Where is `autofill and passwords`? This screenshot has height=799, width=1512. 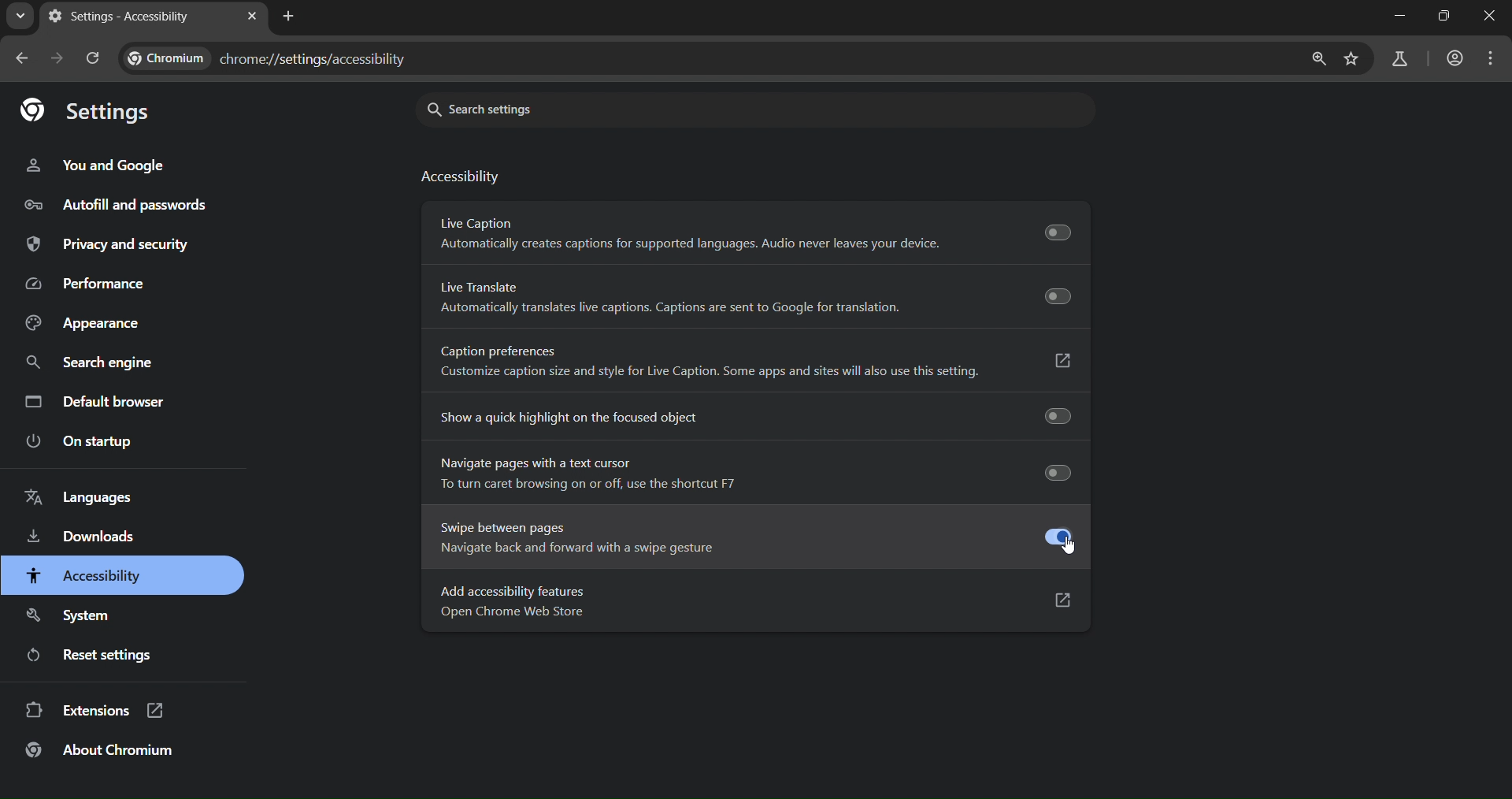 autofill and passwords is located at coordinates (135, 206).